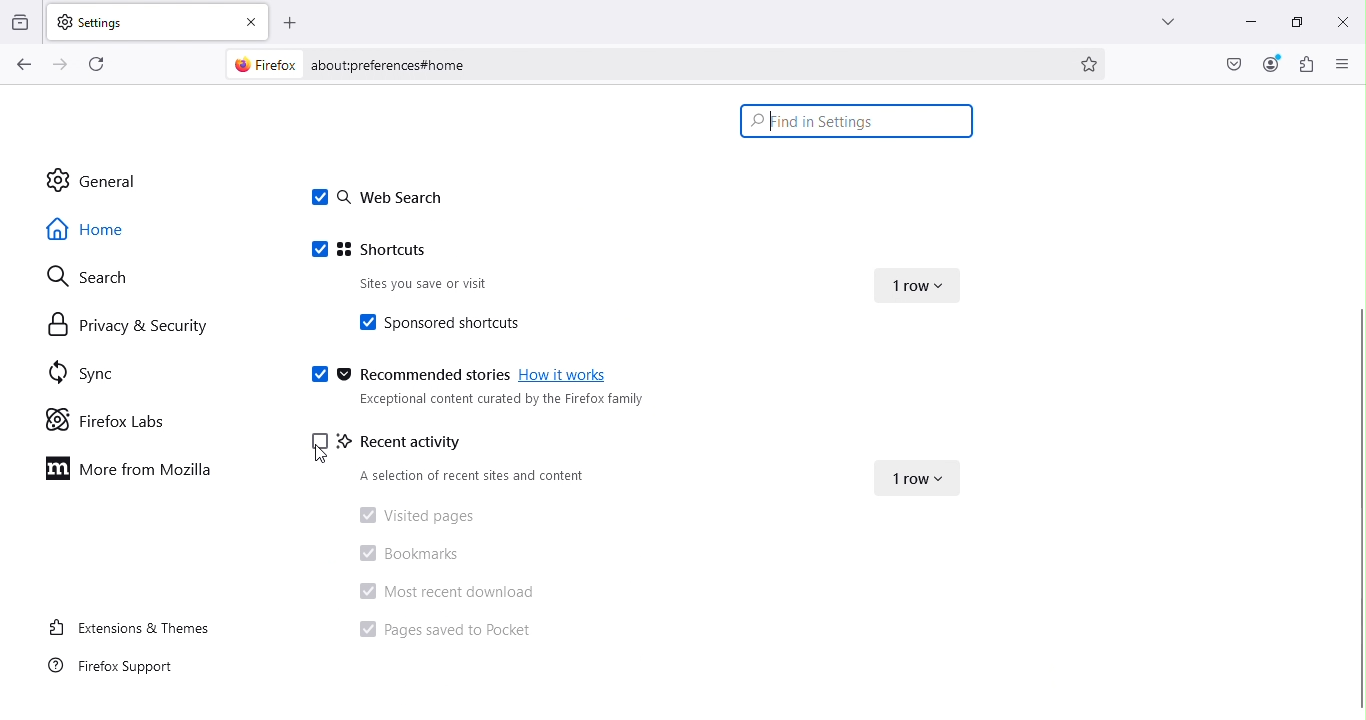  Describe the element at coordinates (474, 477) in the screenshot. I see `A selection of recent sites and content` at that location.